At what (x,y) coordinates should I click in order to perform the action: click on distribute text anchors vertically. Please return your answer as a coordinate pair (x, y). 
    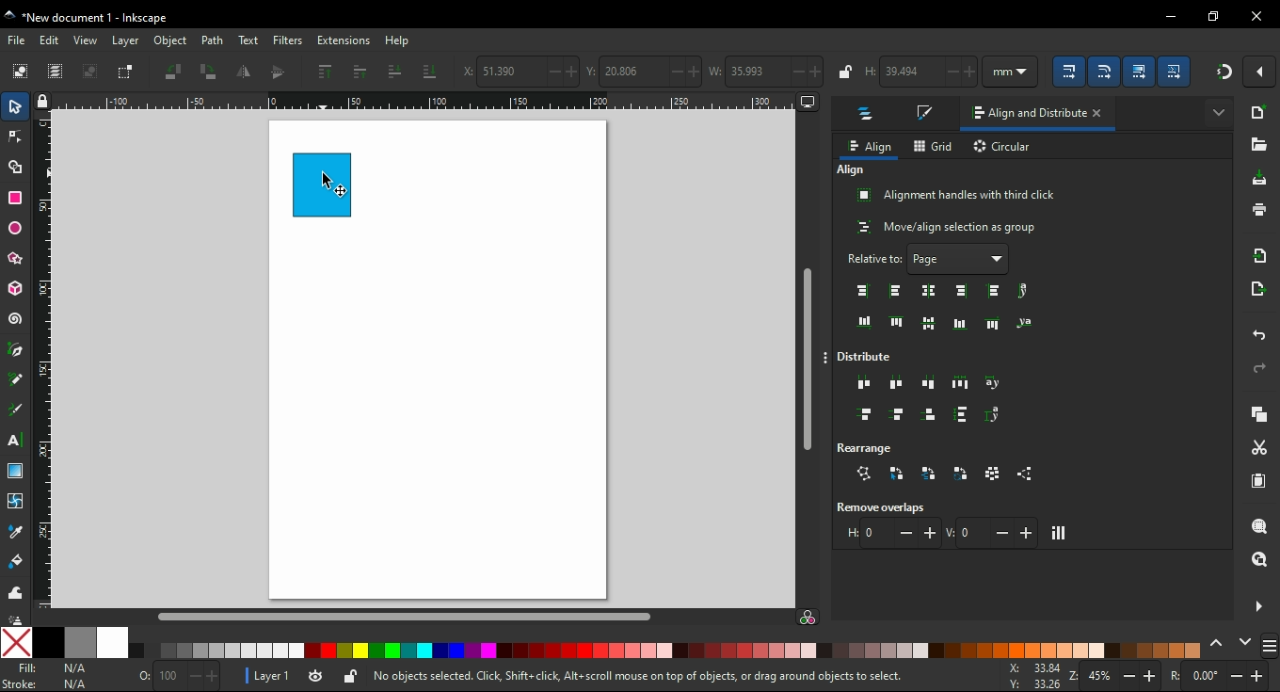
    Looking at the image, I should click on (998, 415).